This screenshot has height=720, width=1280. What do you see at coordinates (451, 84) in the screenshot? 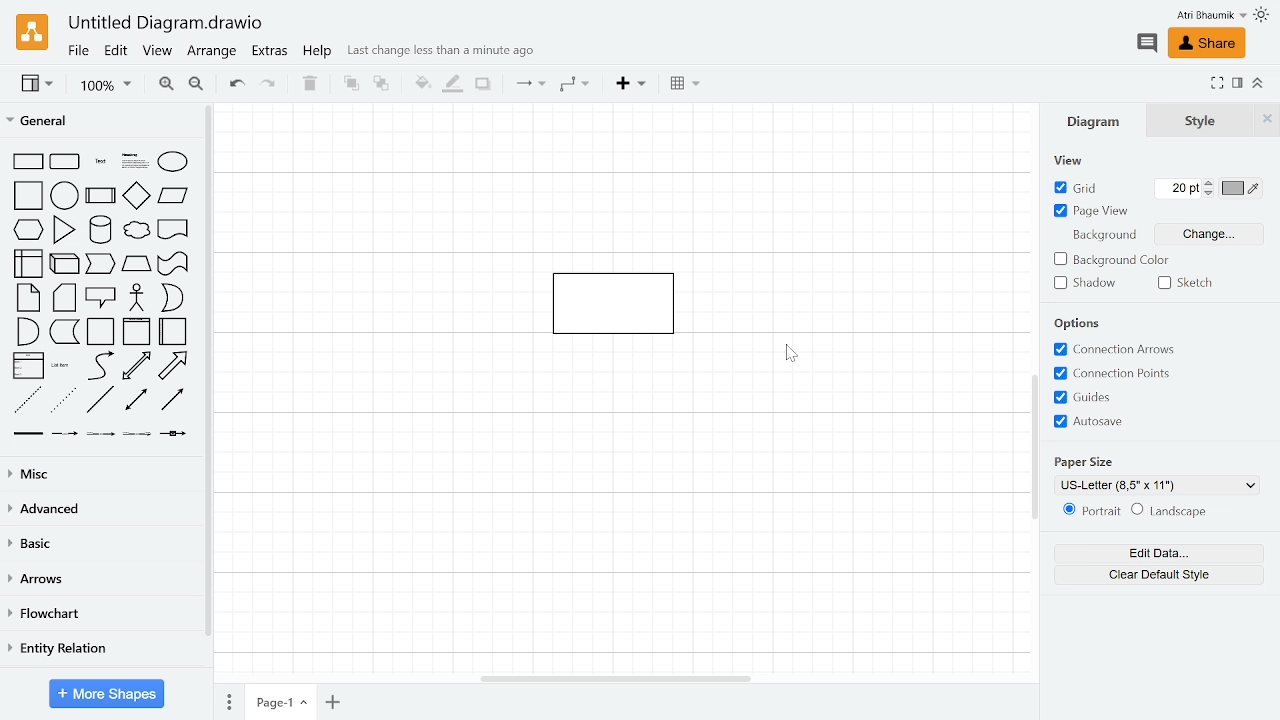
I see `Fill line` at bounding box center [451, 84].